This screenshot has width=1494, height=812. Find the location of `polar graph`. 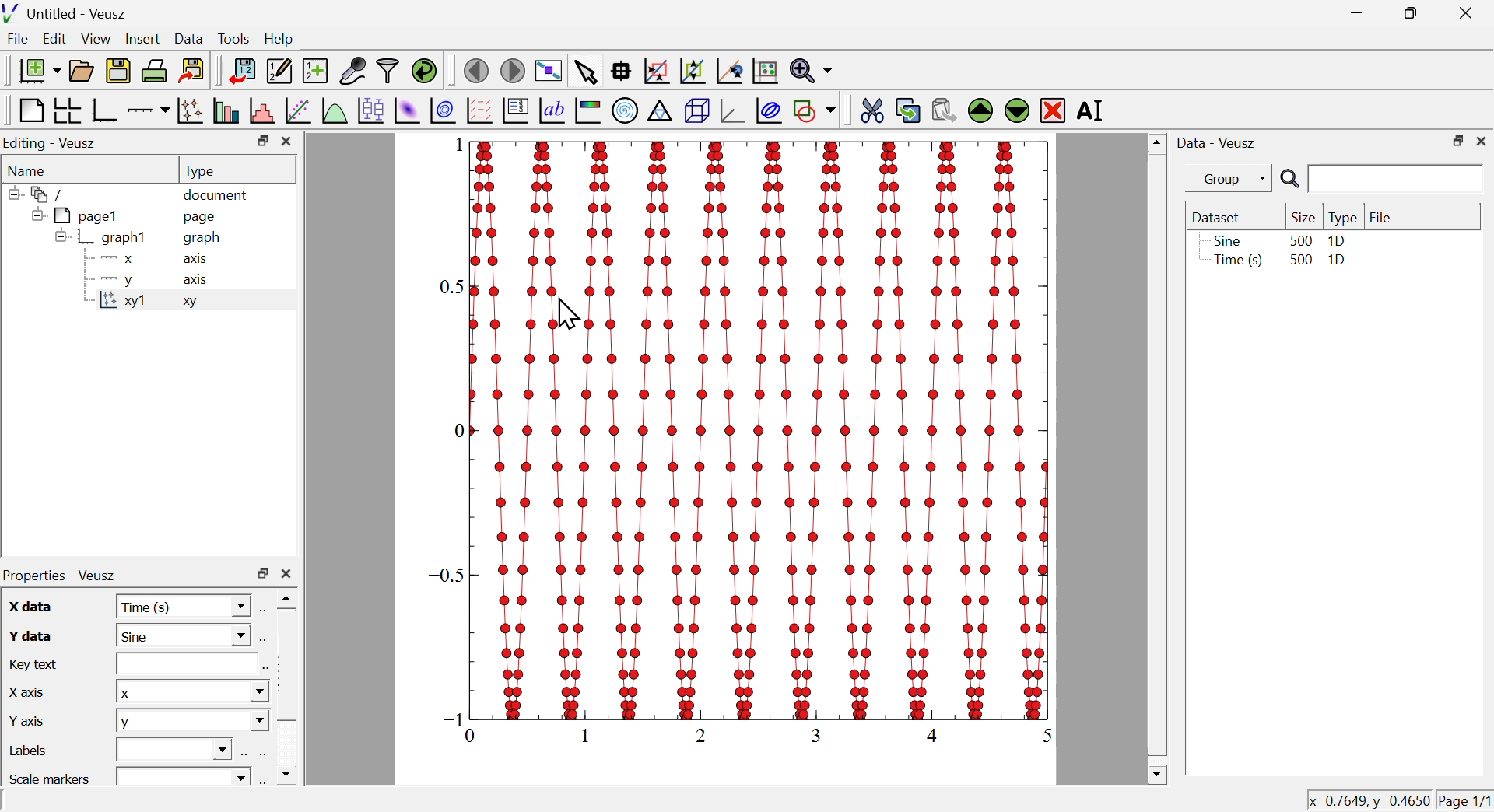

polar graph is located at coordinates (626, 111).